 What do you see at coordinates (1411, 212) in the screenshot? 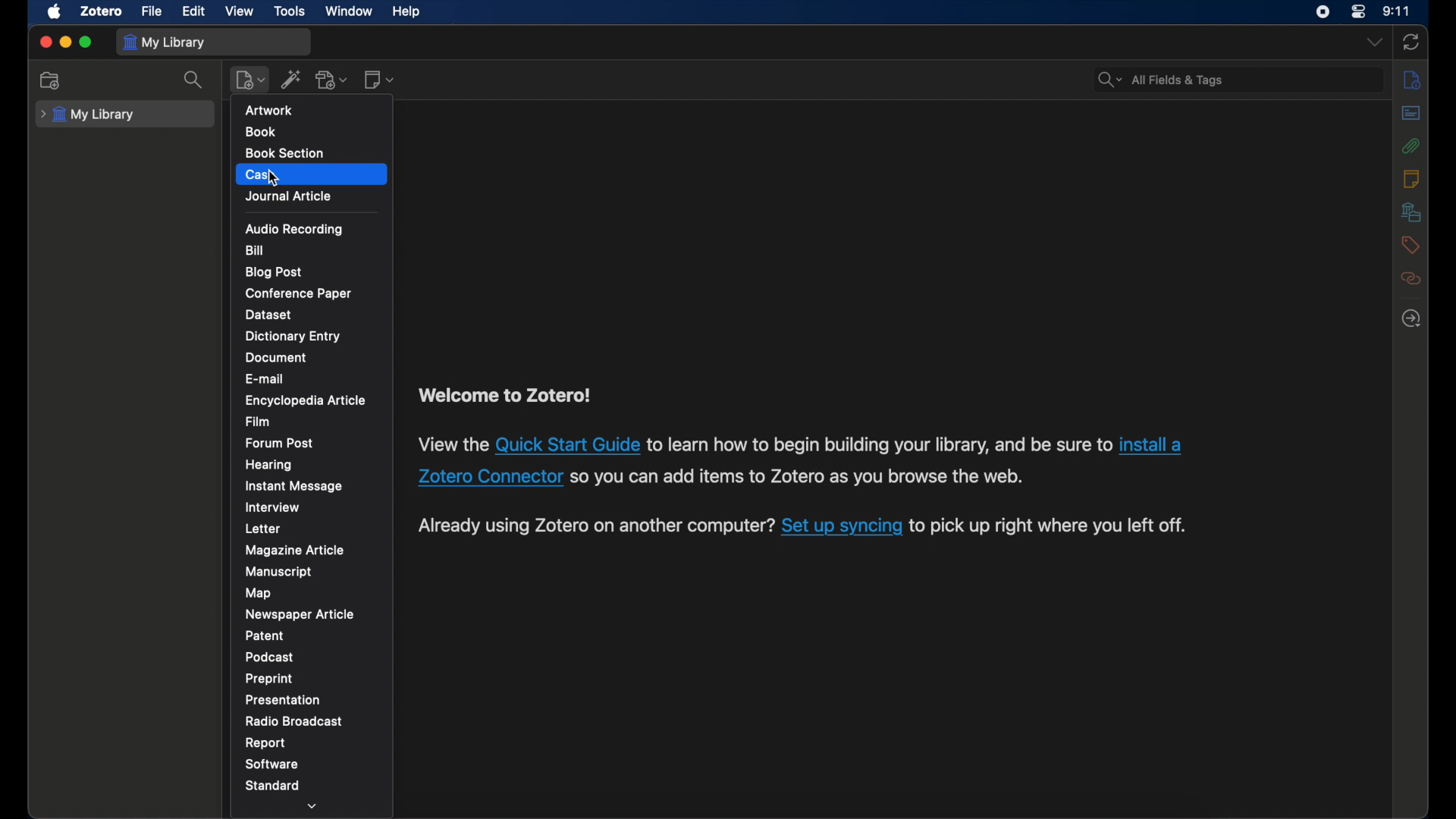
I see `libraries` at bounding box center [1411, 212].